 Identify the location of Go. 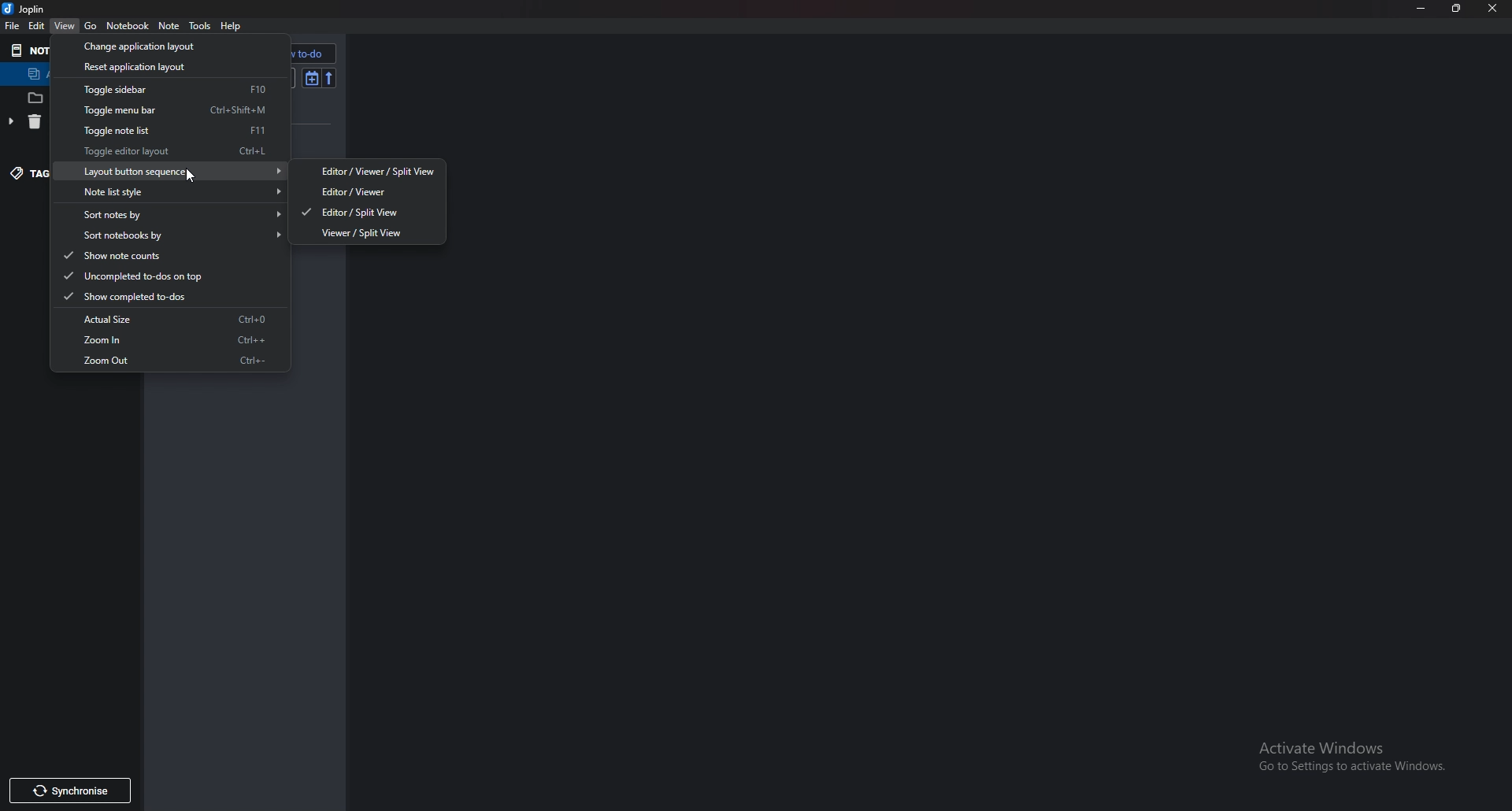
(91, 26).